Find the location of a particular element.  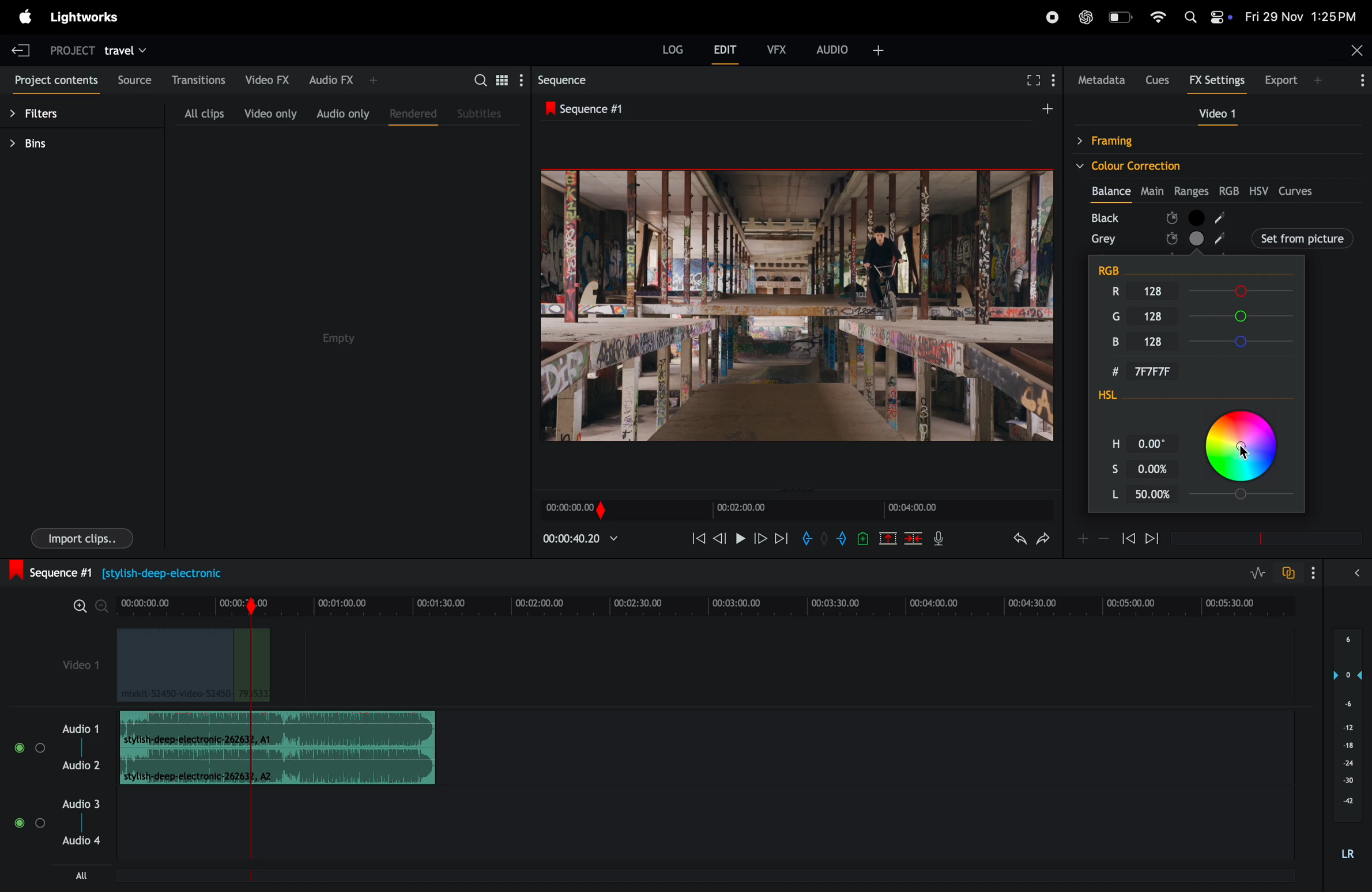

all is located at coordinates (81, 875).